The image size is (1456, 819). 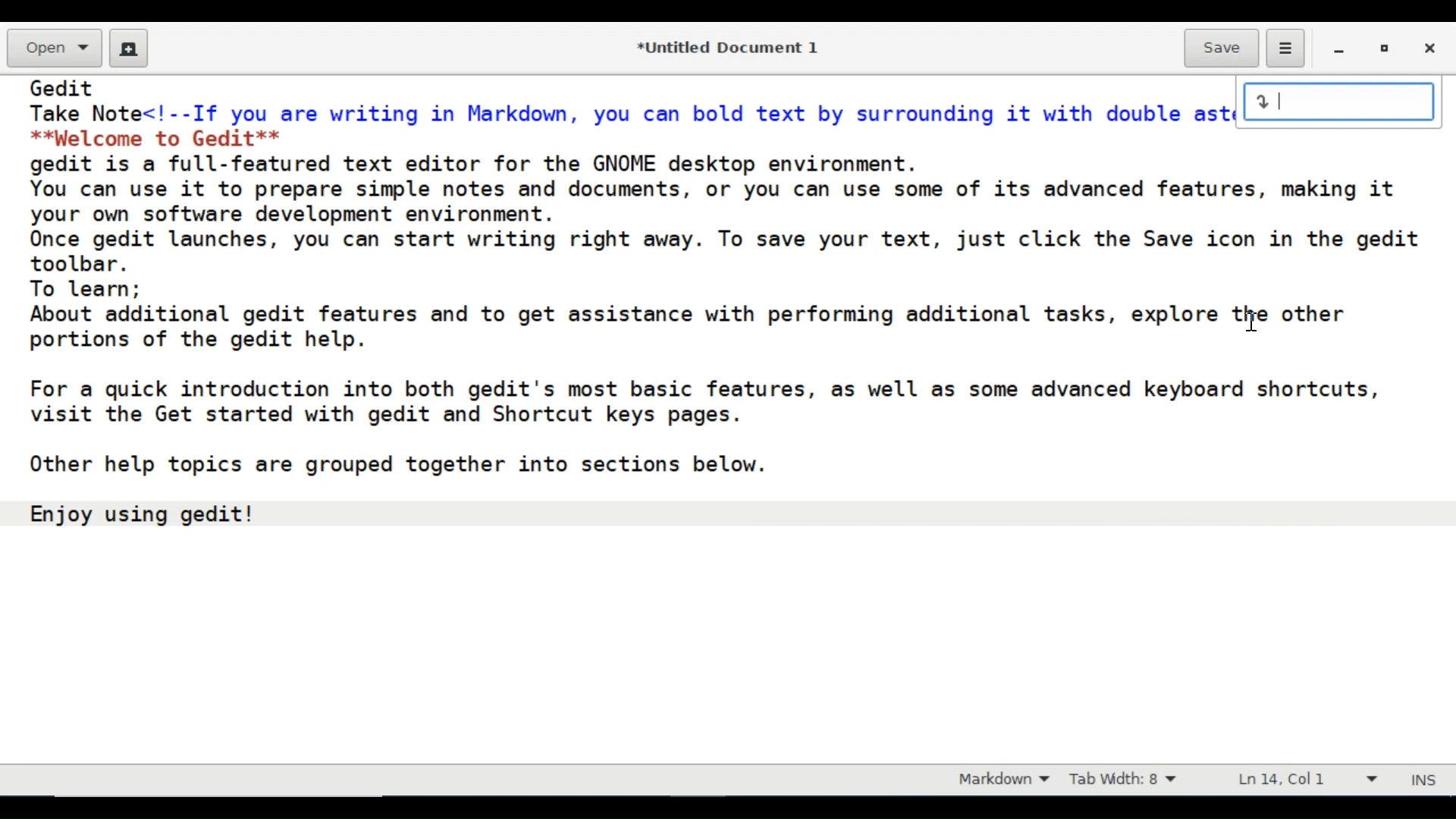 What do you see at coordinates (691, 328) in the screenshot?
I see `About additional gedit features and to get assistance with performing additional tasks, explore the other
portions of the gedit help.` at bounding box center [691, 328].